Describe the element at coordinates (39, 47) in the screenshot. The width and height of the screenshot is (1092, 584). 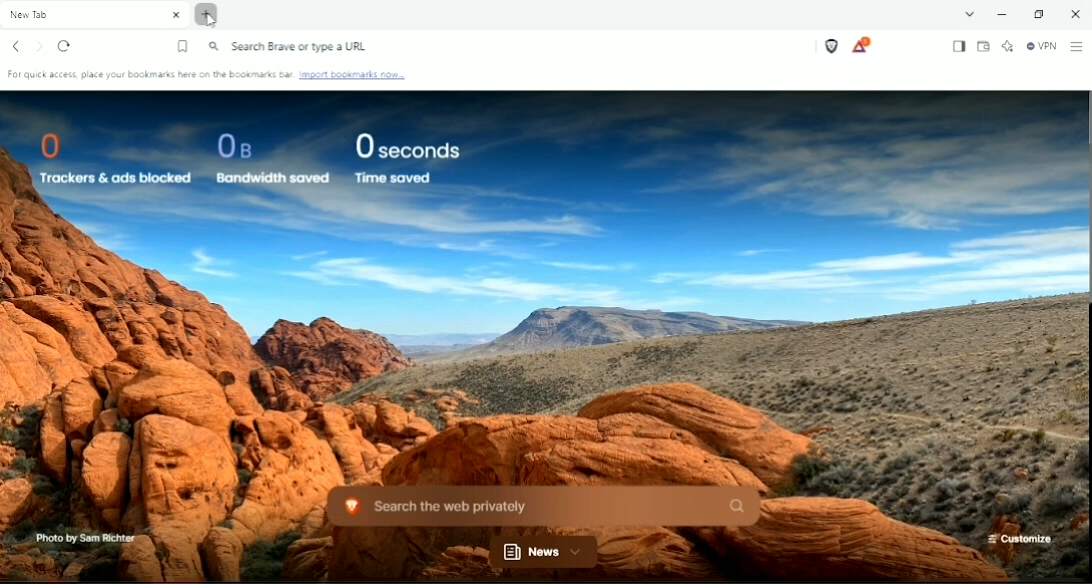
I see `Click to go forward, hold to see history` at that location.